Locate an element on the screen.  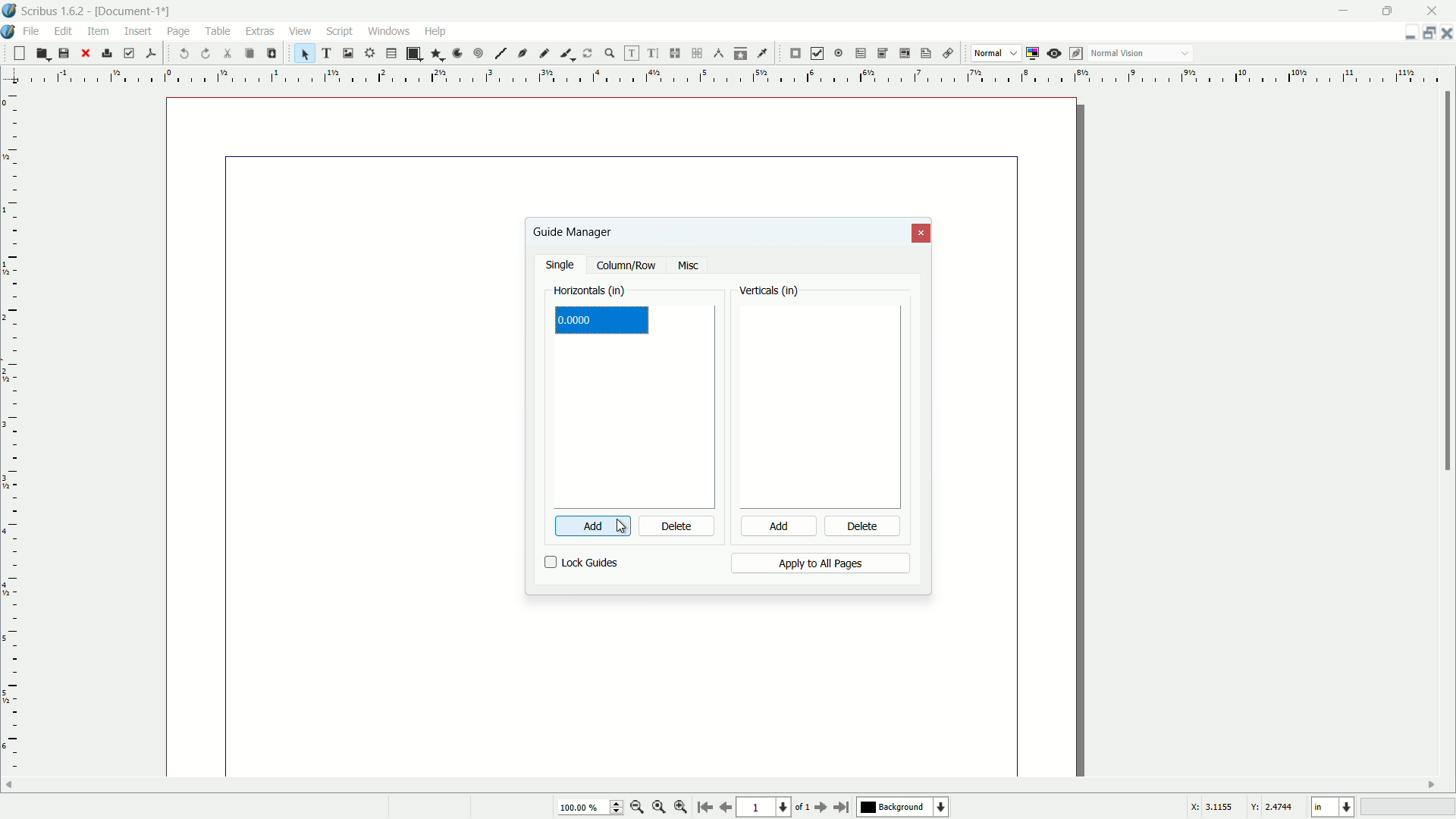
edit menu is located at coordinates (66, 30).